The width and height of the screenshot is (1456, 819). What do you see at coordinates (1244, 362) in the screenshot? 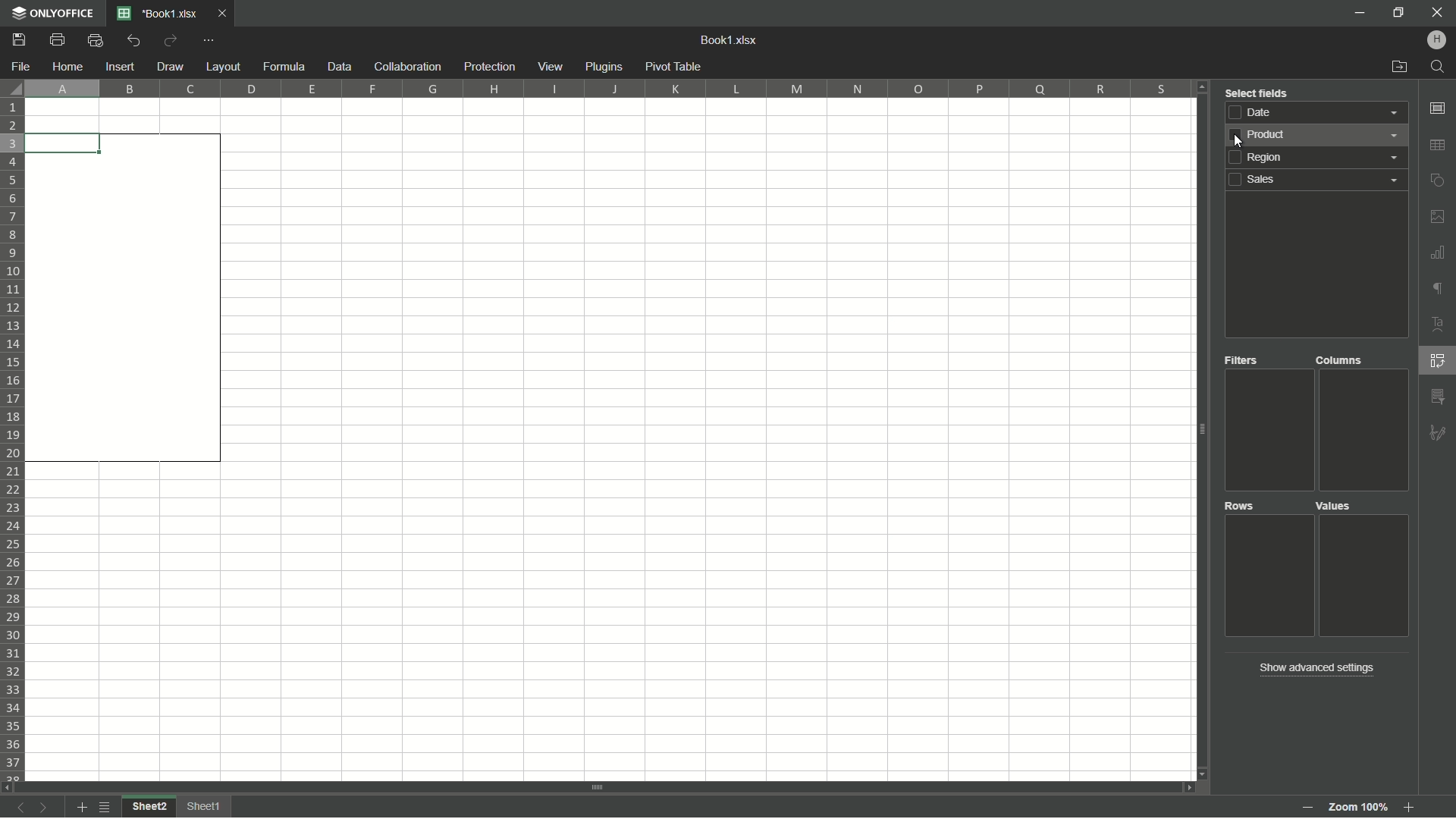
I see `filters` at bounding box center [1244, 362].